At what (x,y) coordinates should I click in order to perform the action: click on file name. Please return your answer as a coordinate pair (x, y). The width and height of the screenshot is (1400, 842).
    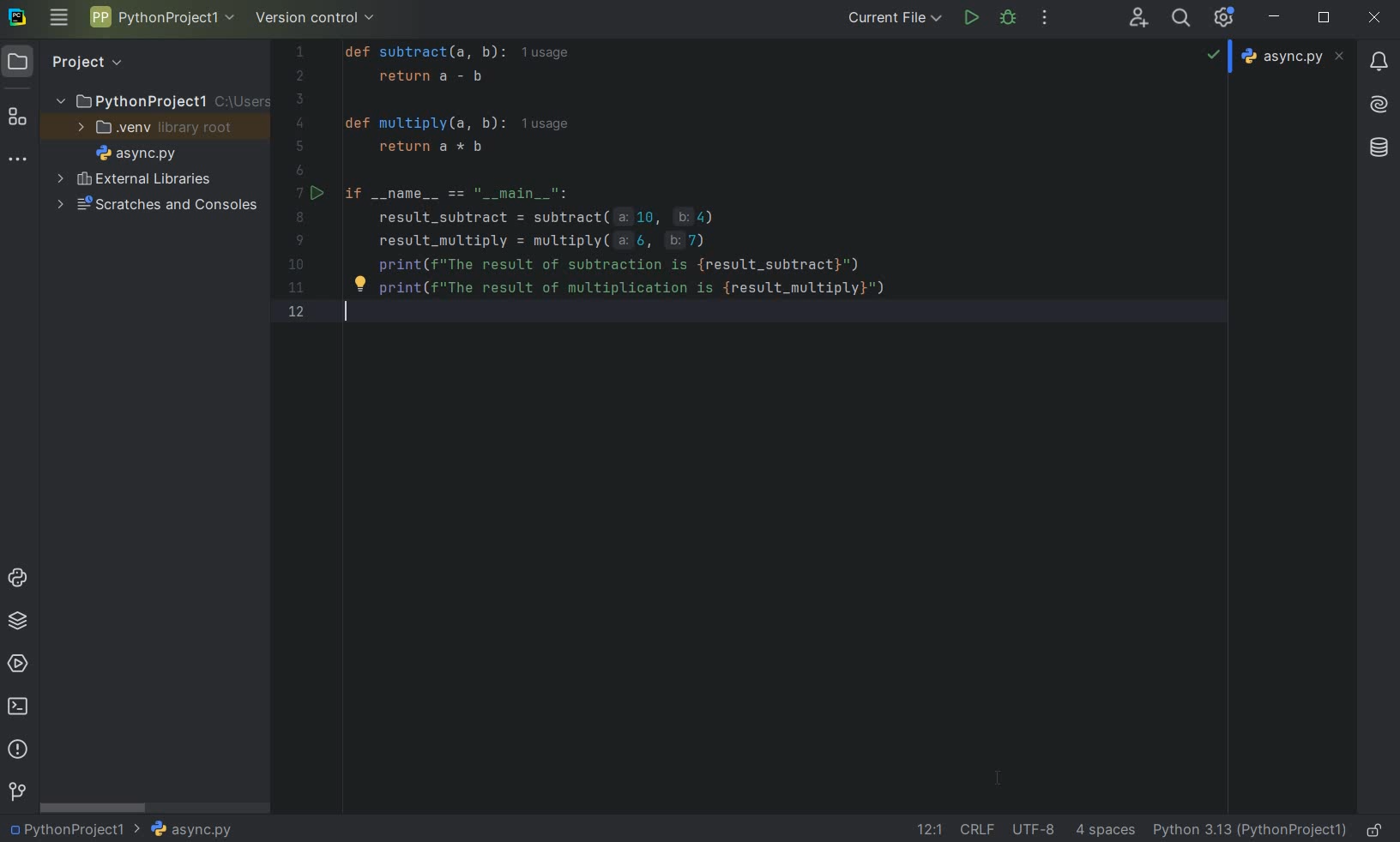
    Looking at the image, I should click on (183, 829).